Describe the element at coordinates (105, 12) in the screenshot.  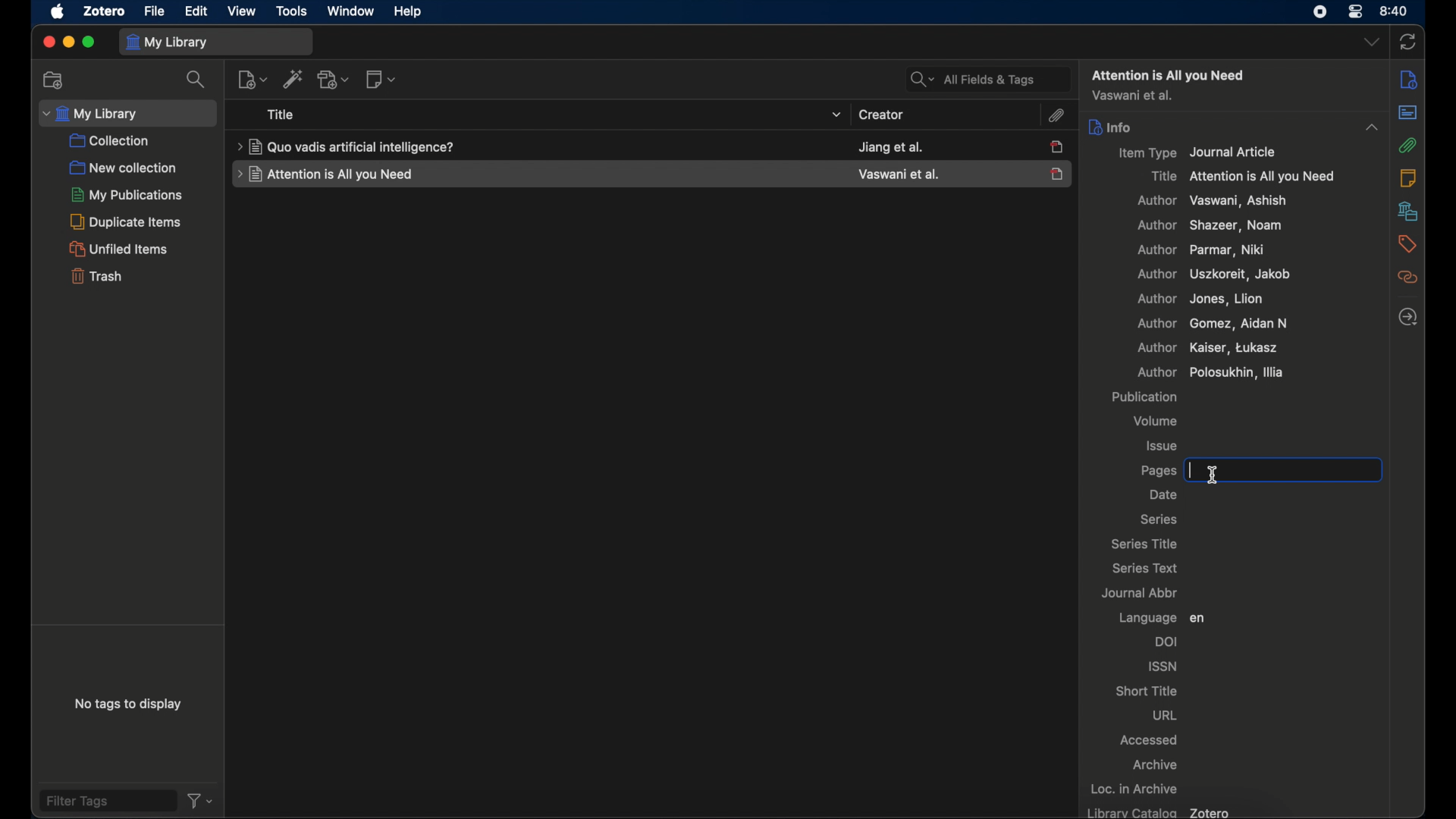
I see `zotero` at that location.